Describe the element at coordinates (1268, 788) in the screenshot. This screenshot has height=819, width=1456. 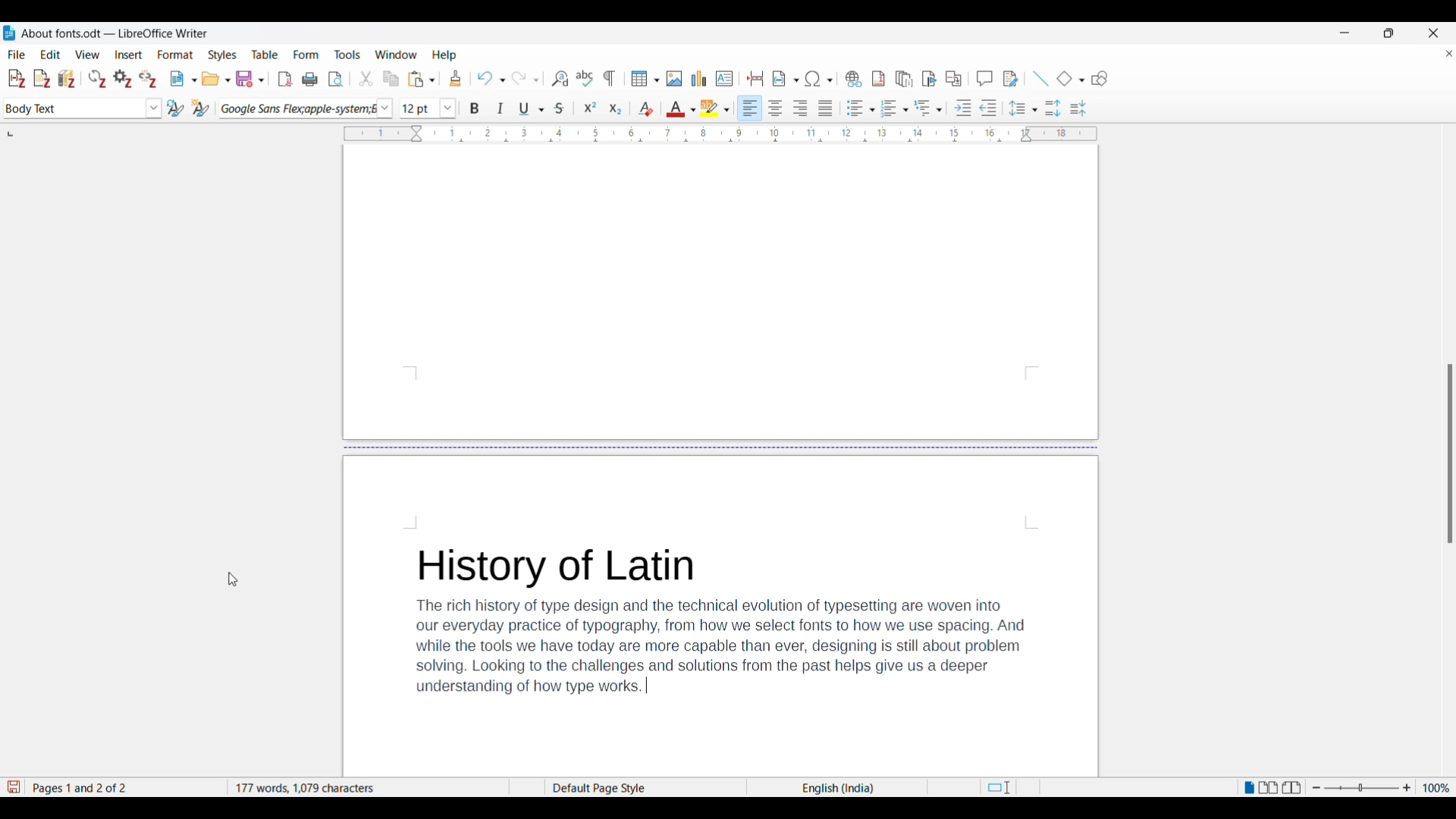
I see `Multiple page view` at that location.